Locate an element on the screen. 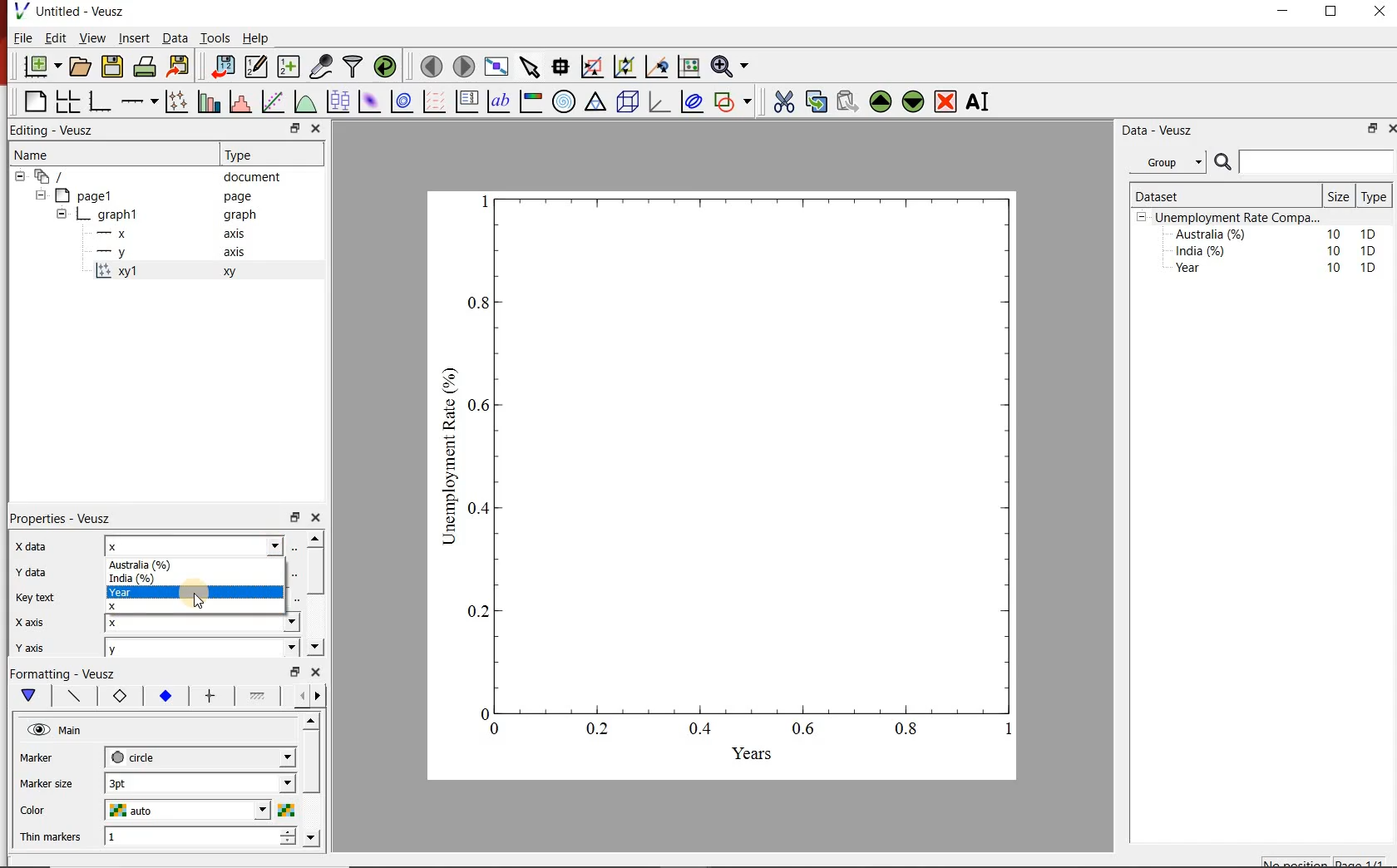  move down is located at coordinates (314, 646).